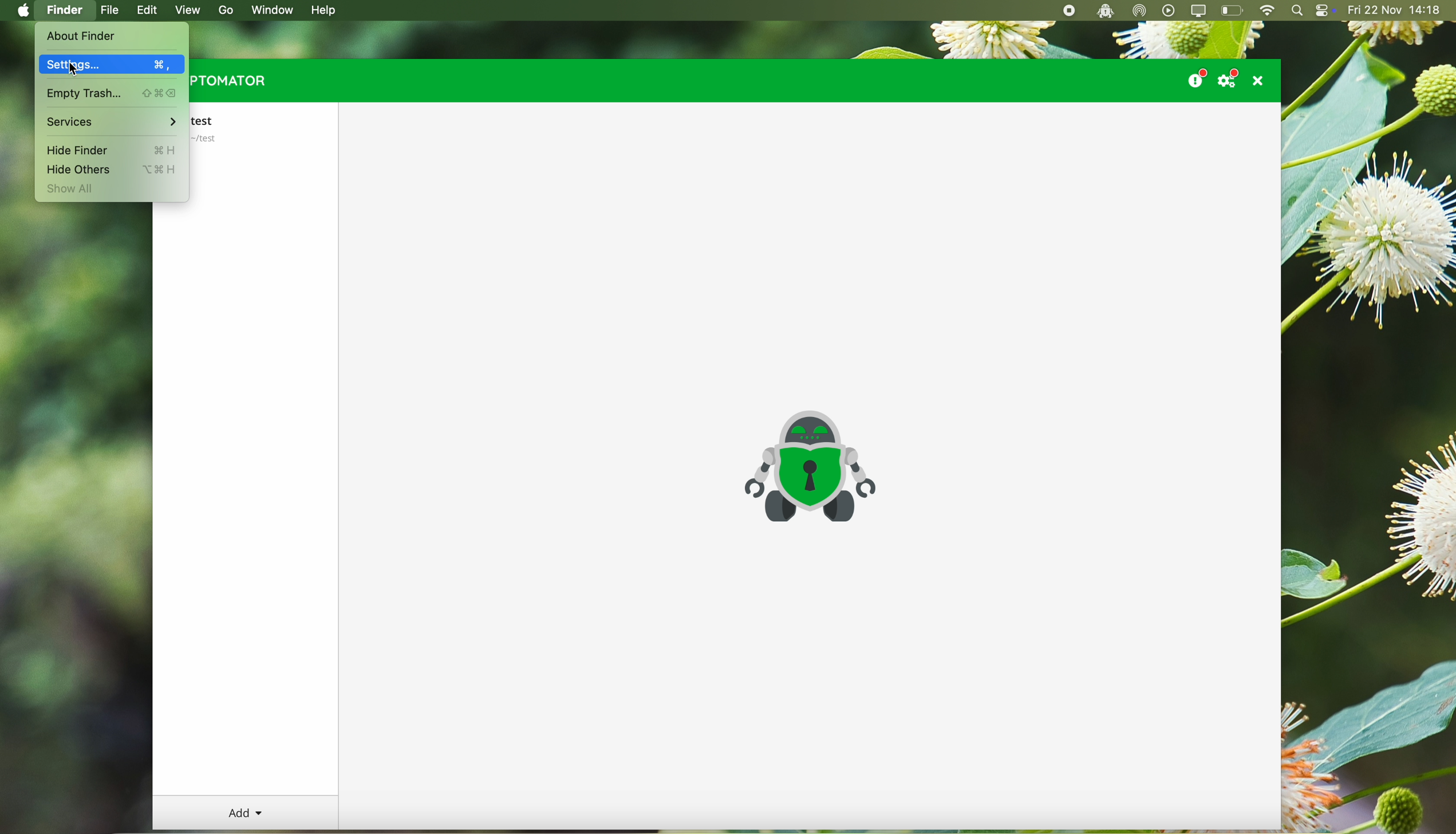 The width and height of the screenshot is (1456, 834). What do you see at coordinates (1195, 76) in the screenshot?
I see `donate` at bounding box center [1195, 76].